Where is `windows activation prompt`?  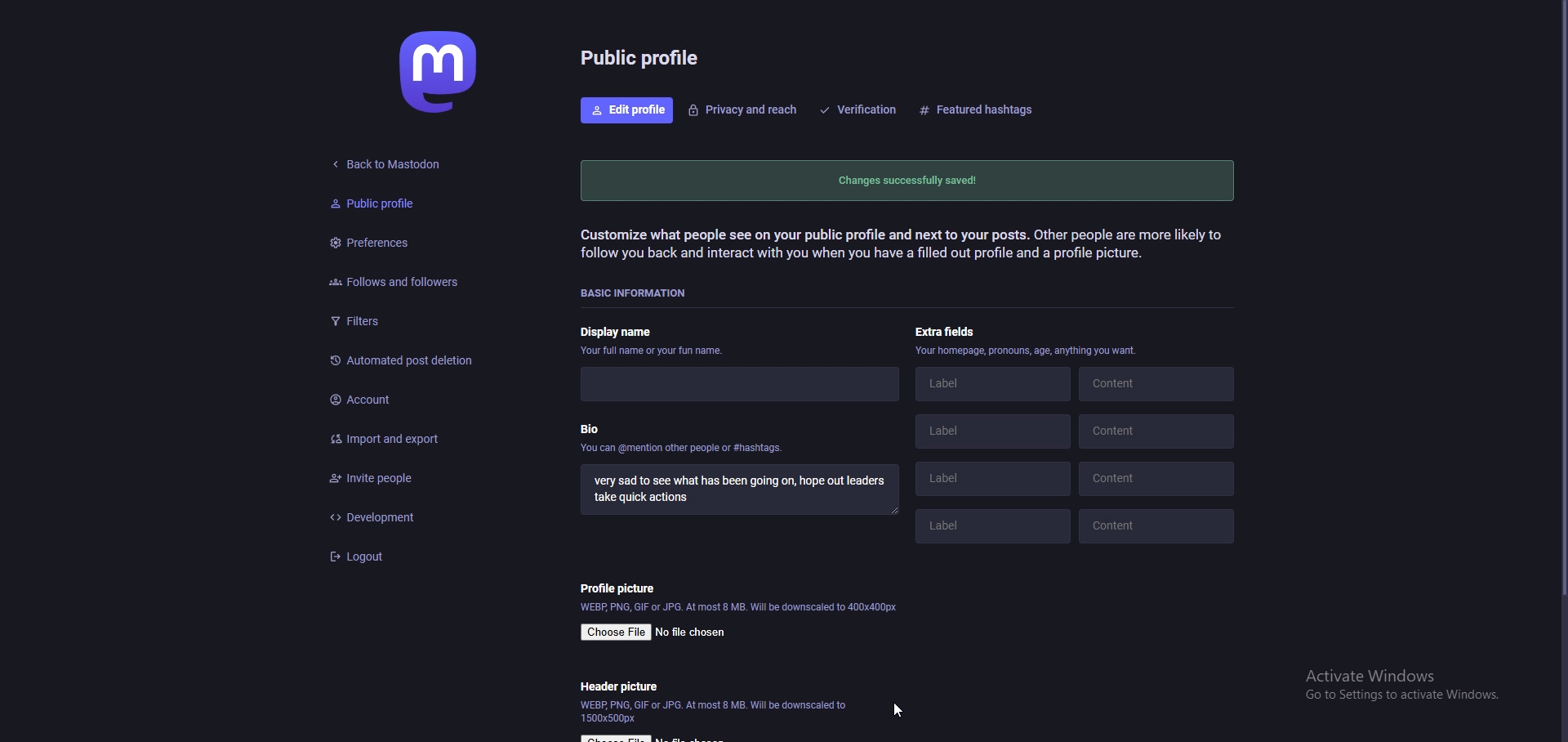 windows activation prompt is located at coordinates (1399, 684).